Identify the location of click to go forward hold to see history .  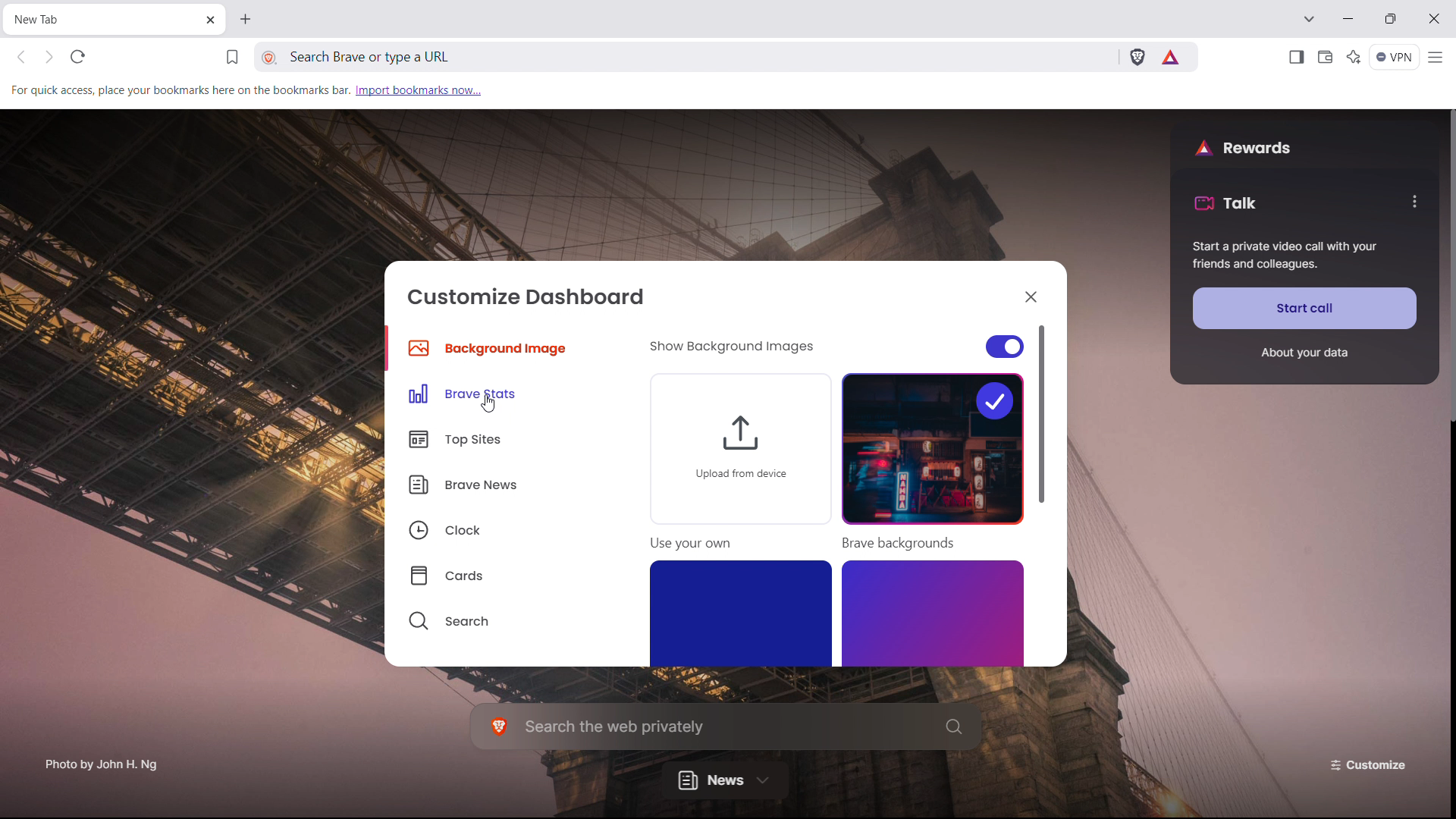
(49, 56).